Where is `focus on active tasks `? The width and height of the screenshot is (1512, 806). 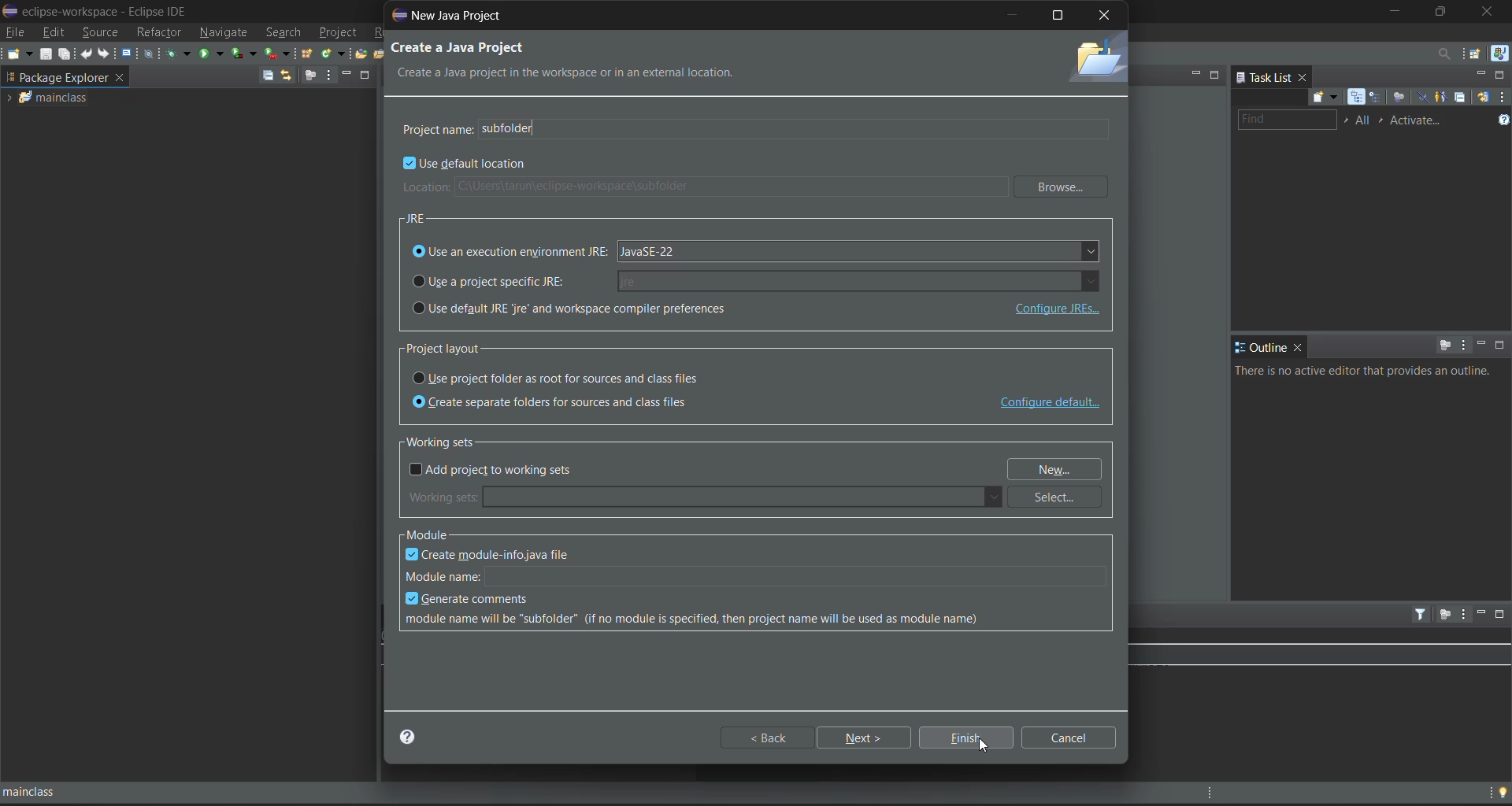
focus on active tasks  is located at coordinates (310, 76).